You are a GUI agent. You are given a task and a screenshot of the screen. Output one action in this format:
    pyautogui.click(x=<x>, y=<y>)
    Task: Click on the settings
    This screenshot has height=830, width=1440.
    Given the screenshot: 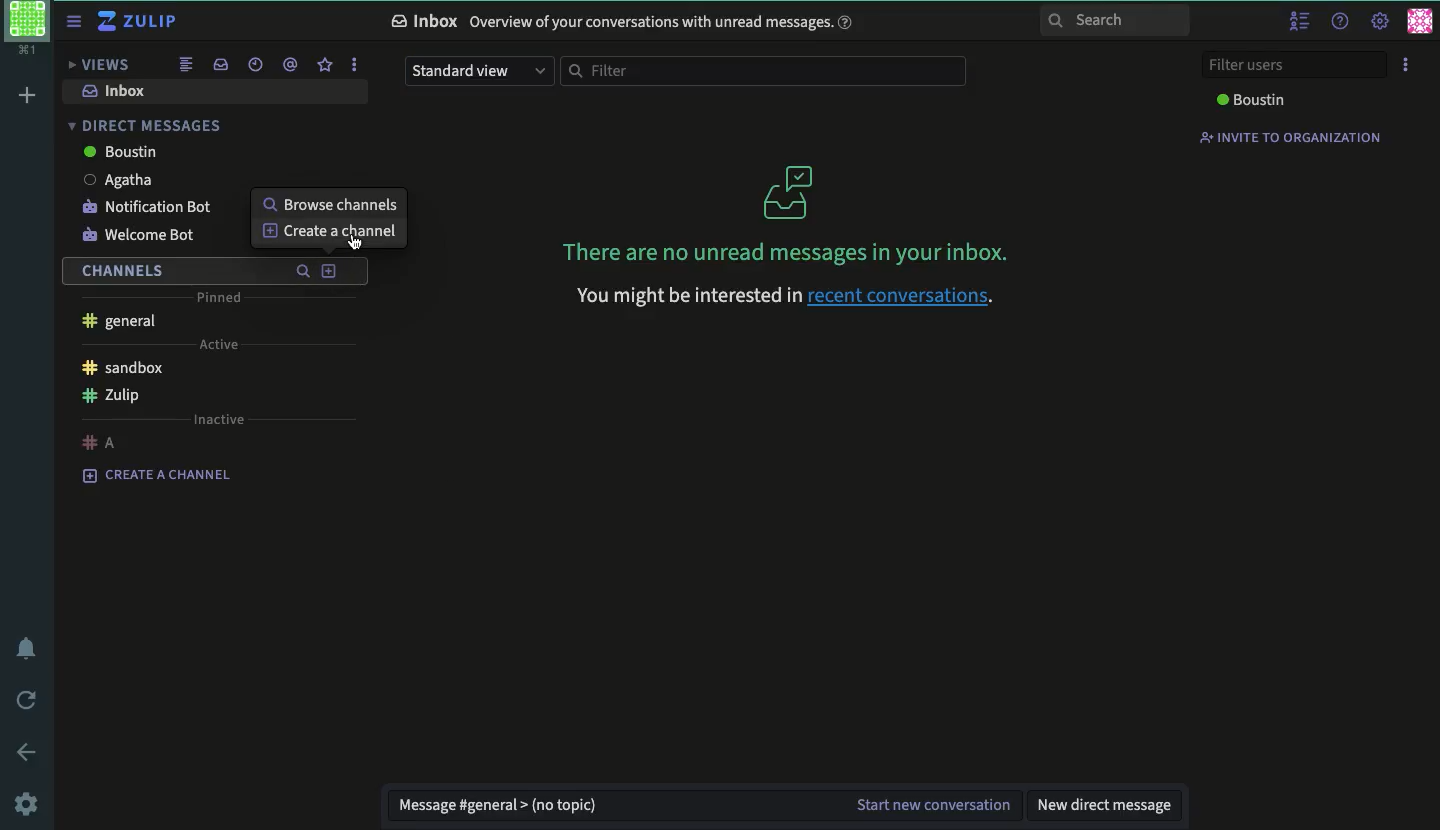 What is the action you would take?
    pyautogui.click(x=27, y=803)
    